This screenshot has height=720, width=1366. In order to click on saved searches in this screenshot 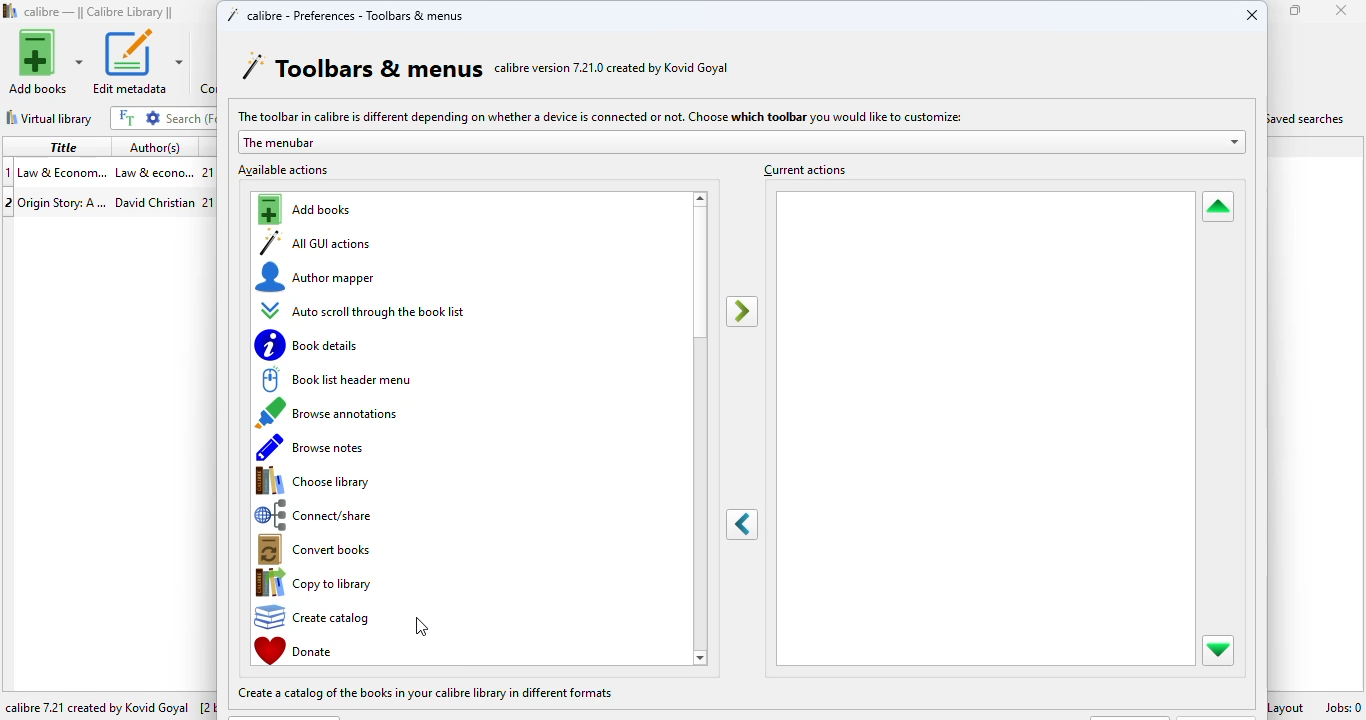, I will do `click(1309, 117)`.